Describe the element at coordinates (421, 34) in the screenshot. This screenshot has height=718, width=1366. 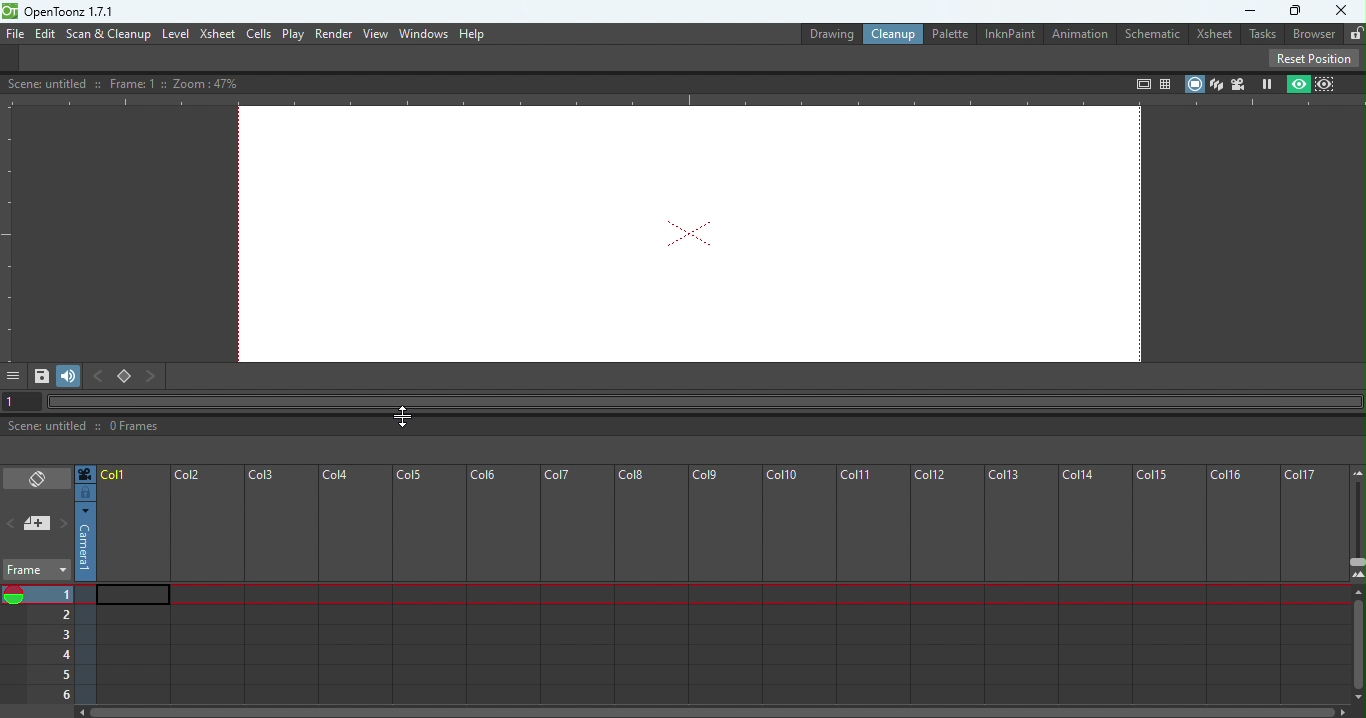
I see `Window` at that location.